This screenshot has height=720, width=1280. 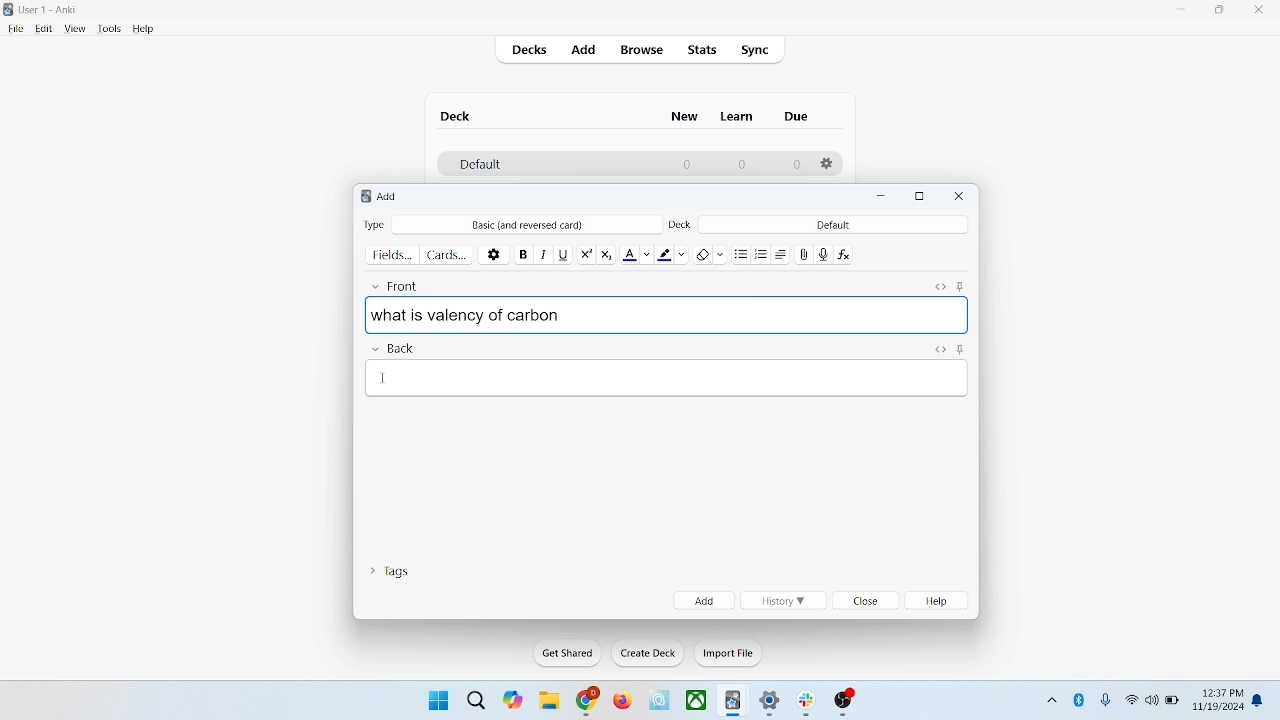 I want to click on show hidden icons, so click(x=1050, y=697).